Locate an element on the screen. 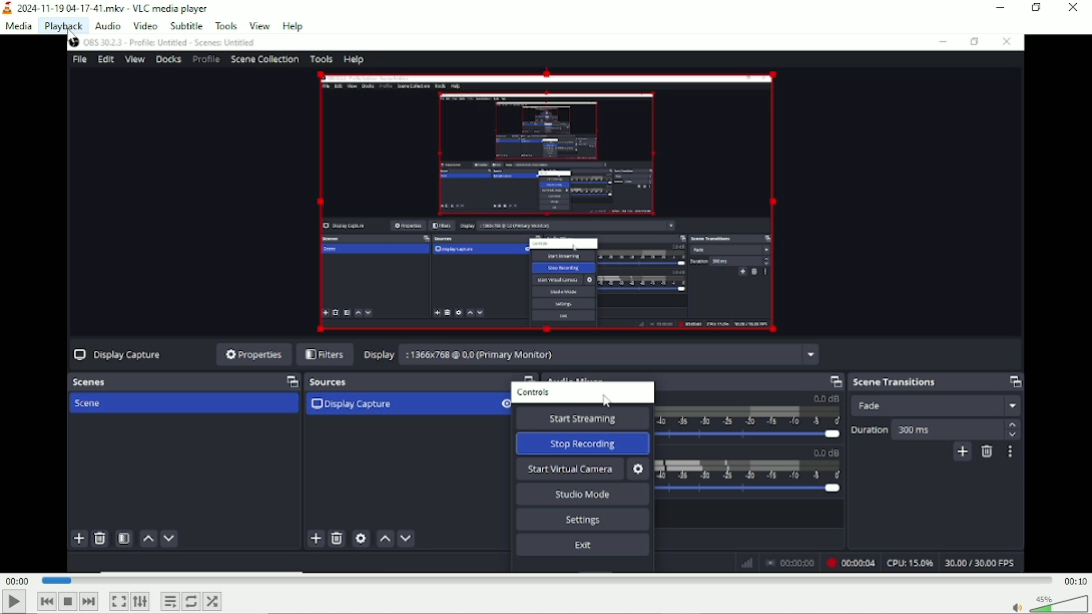  00:00 is located at coordinates (18, 581).